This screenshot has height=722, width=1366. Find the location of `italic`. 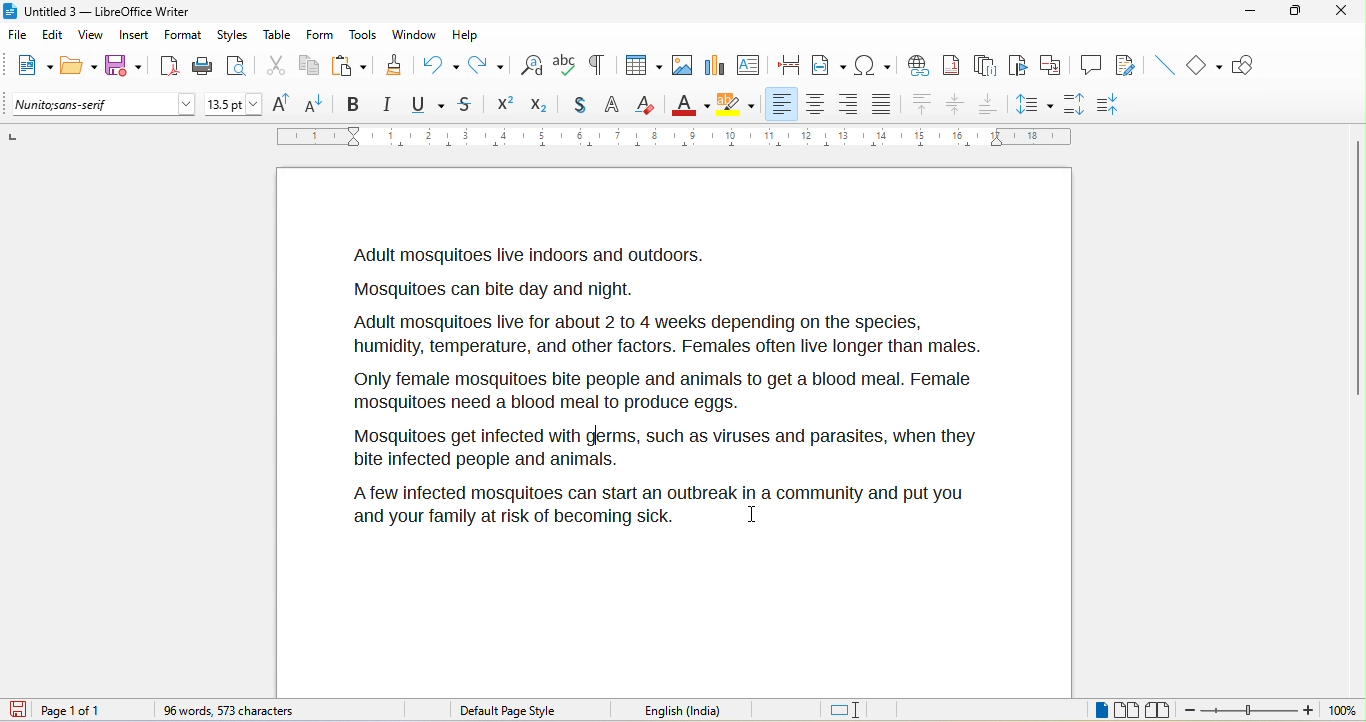

italic is located at coordinates (391, 105).